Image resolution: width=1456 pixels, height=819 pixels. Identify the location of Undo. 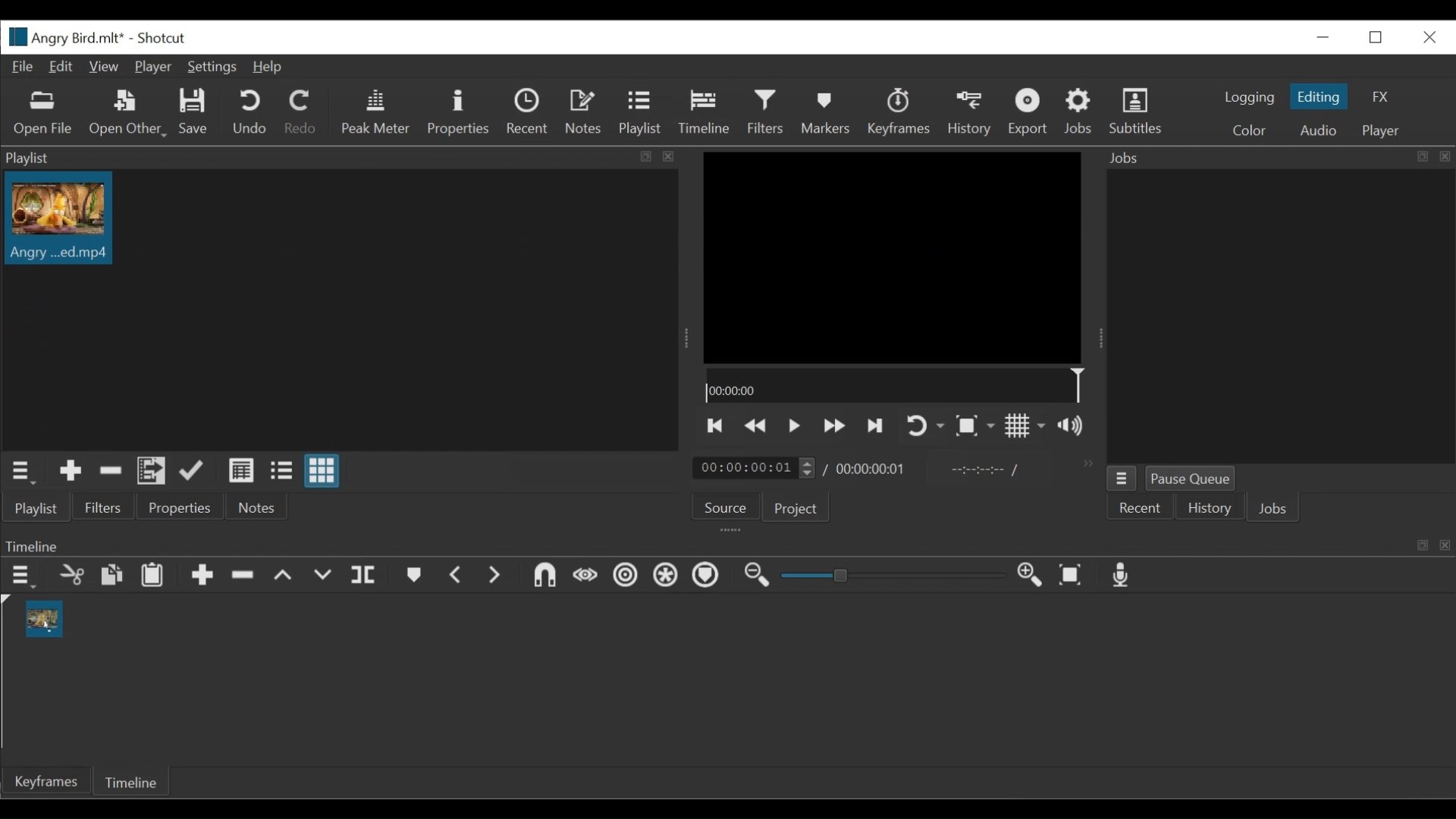
(251, 113).